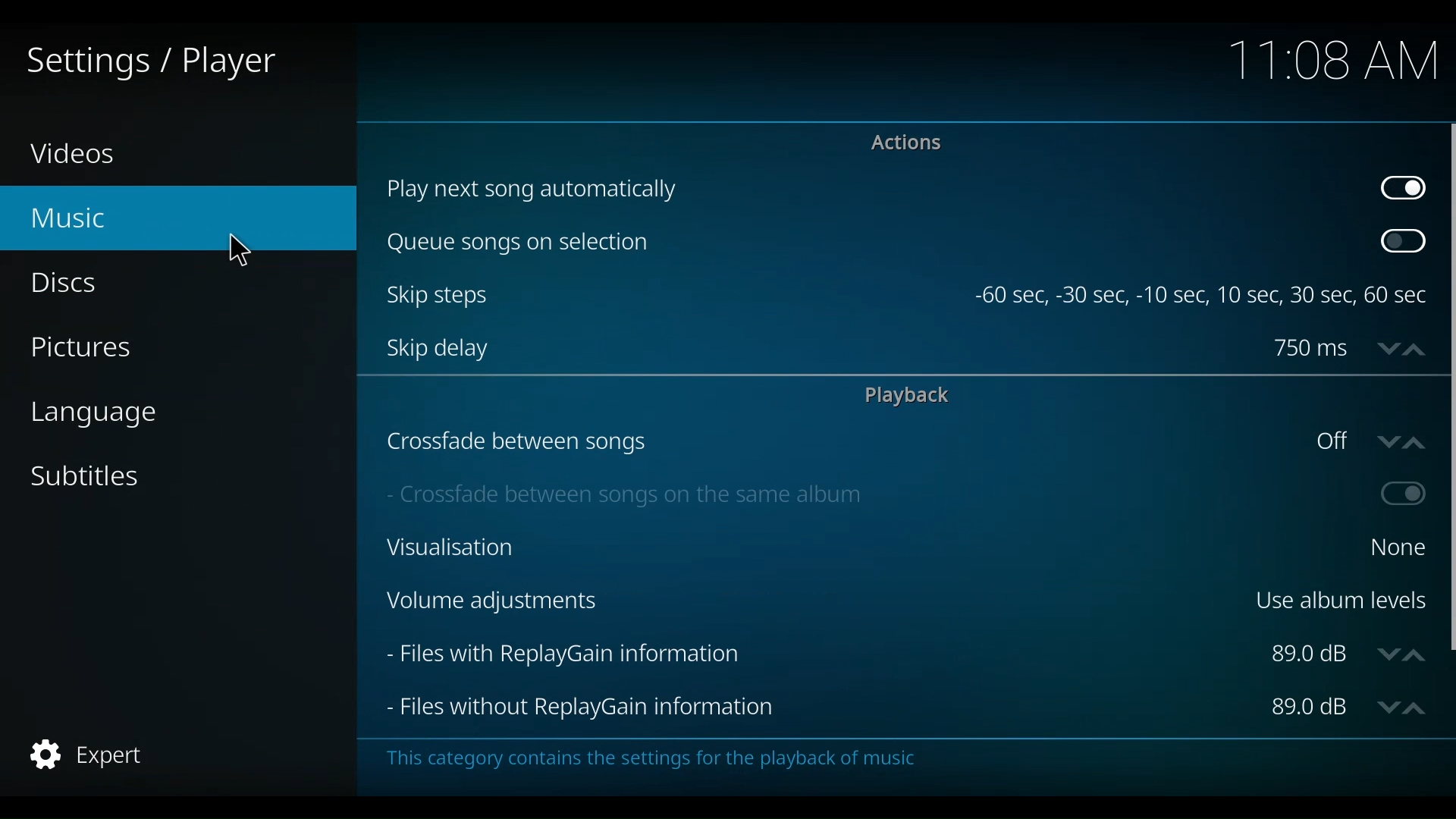  What do you see at coordinates (1404, 189) in the screenshot?
I see `Toggle play next song automatically on/off` at bounding box center [1404, 189].